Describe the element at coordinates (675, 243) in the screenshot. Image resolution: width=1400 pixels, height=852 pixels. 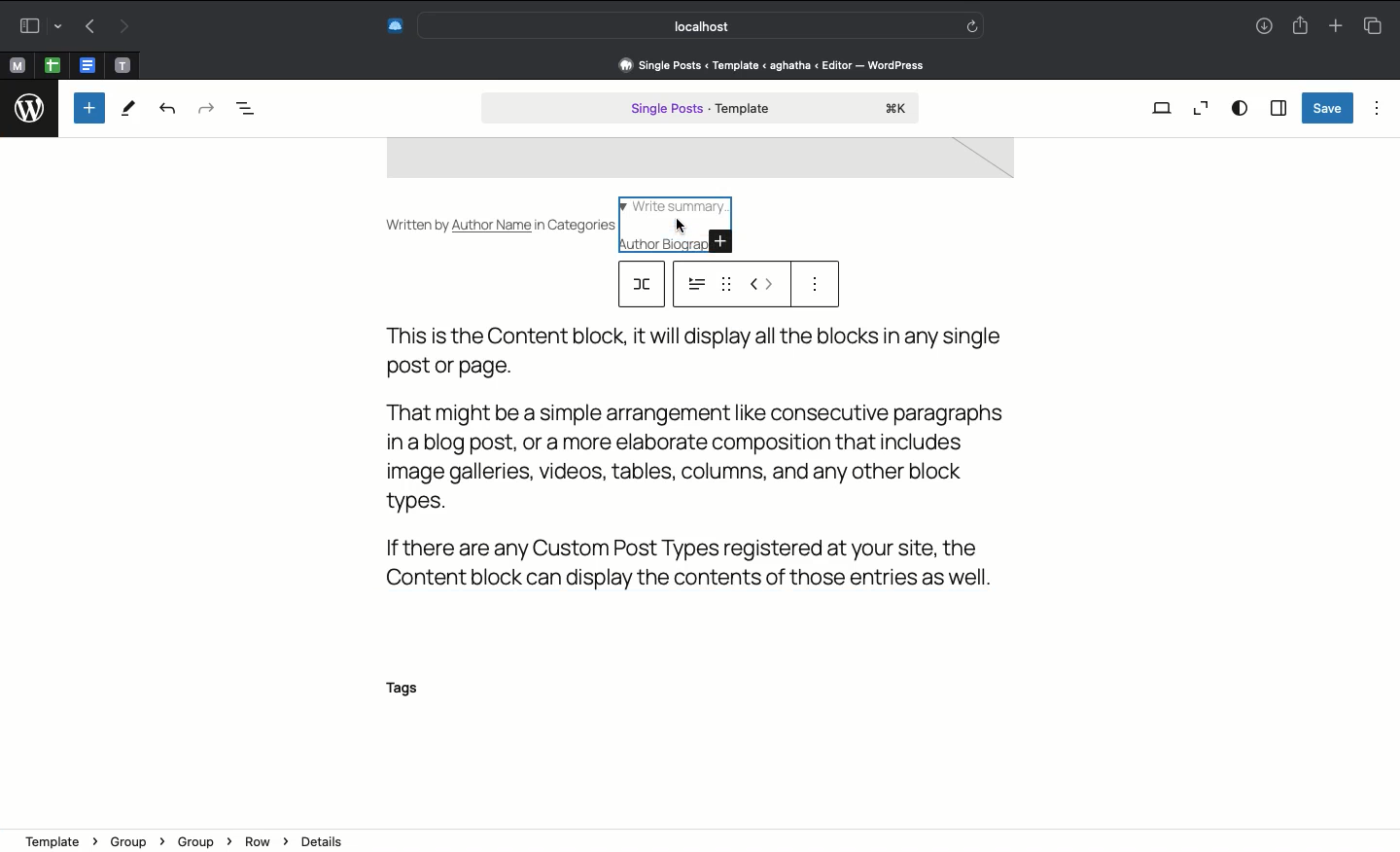
I see `Author biography` at that location.